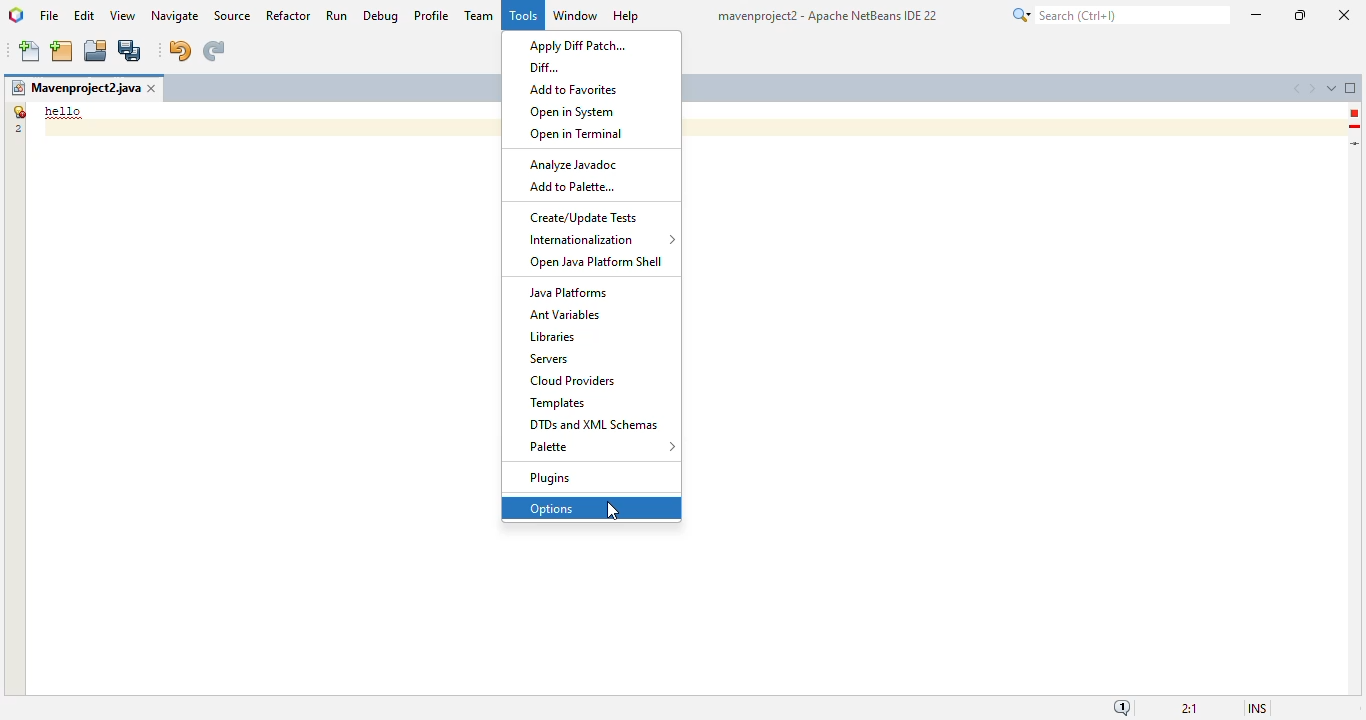 The height and width of the screenshot is (720, 1366). Describe the element at coordinates (123, 16) in the screenshot. I see `view` at that location.